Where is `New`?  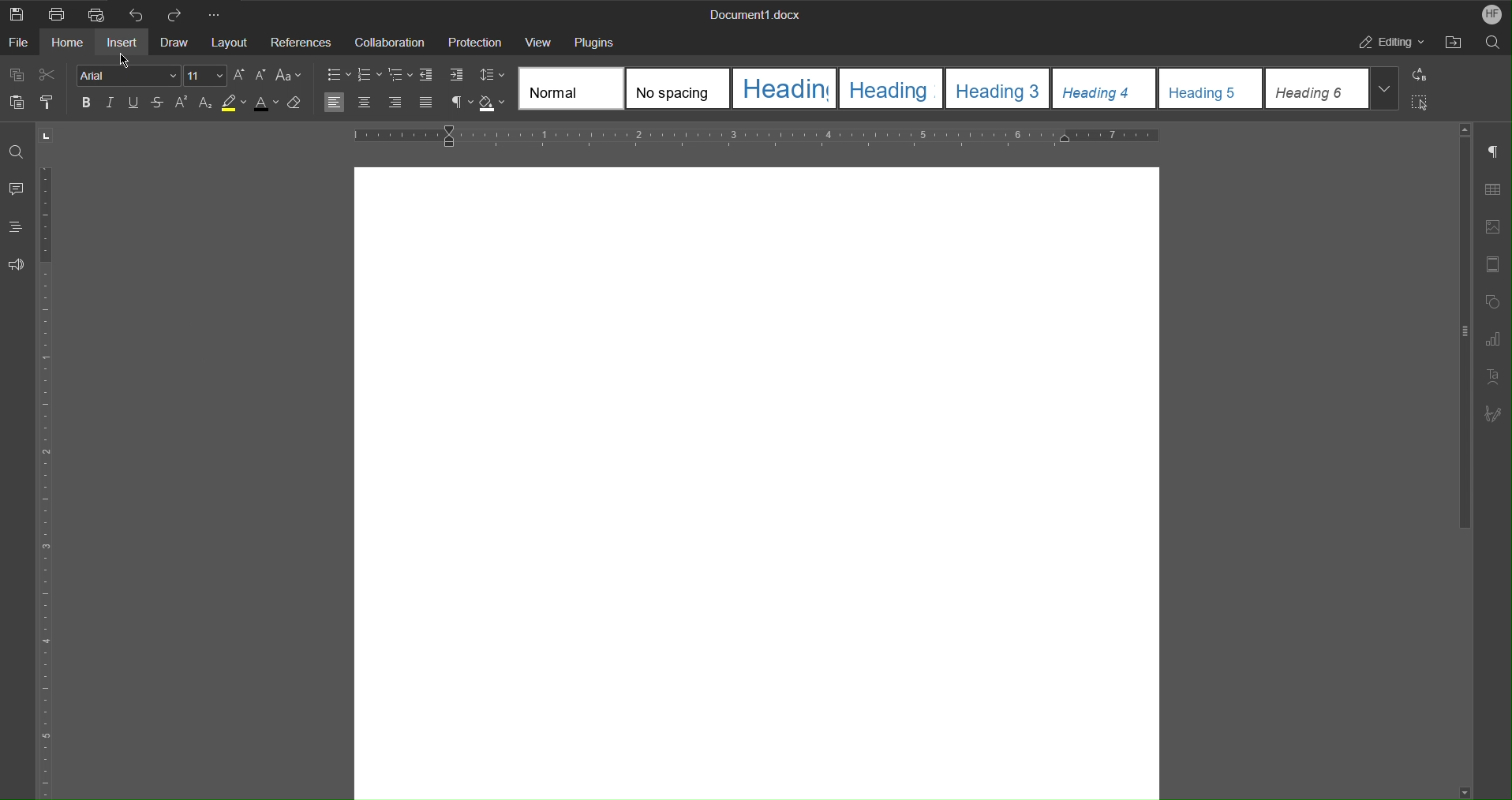 New is located at coordinates (16, 15).